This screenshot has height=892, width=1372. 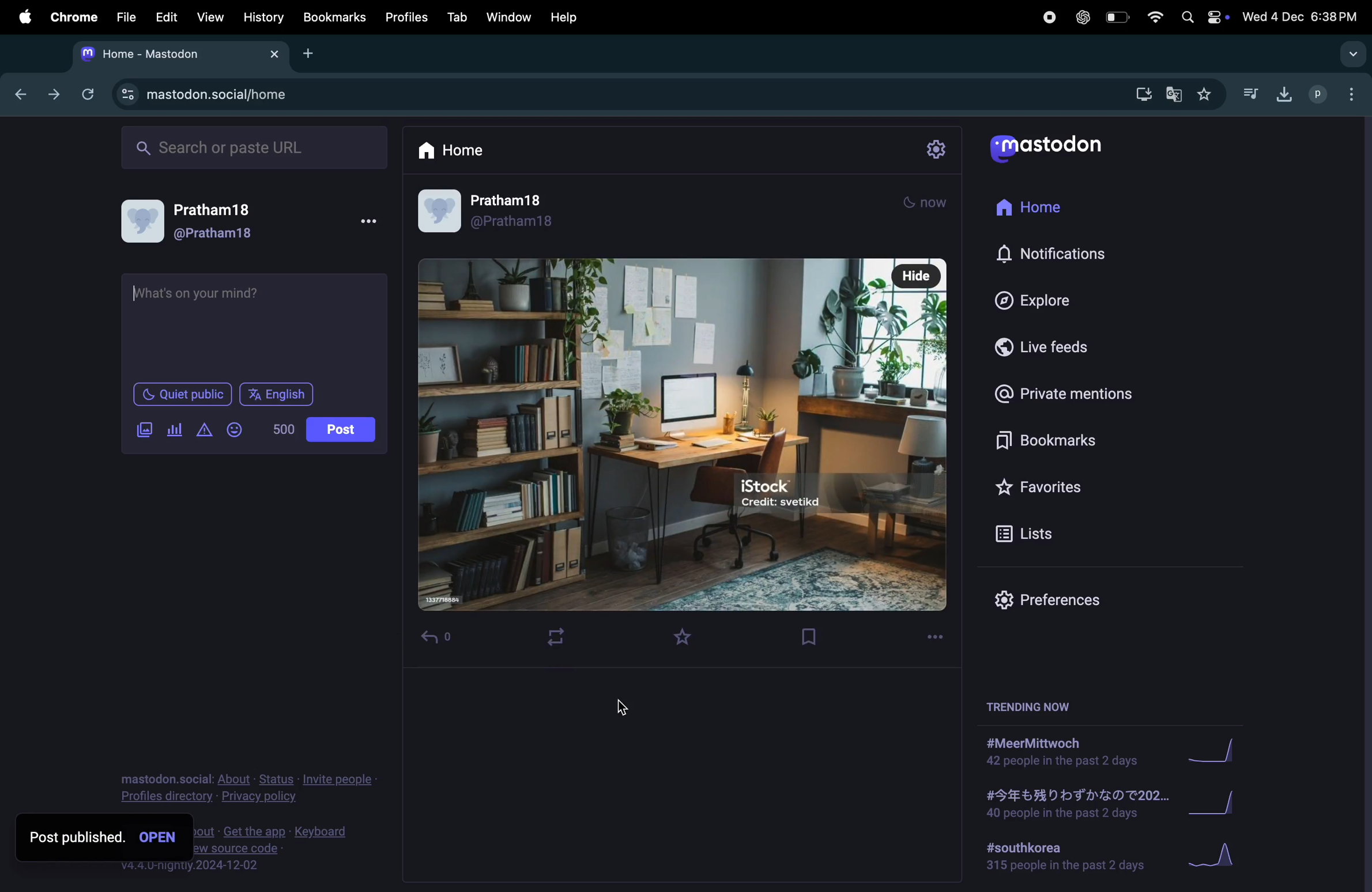 I want to click on forward, so click(x=51, y=97).